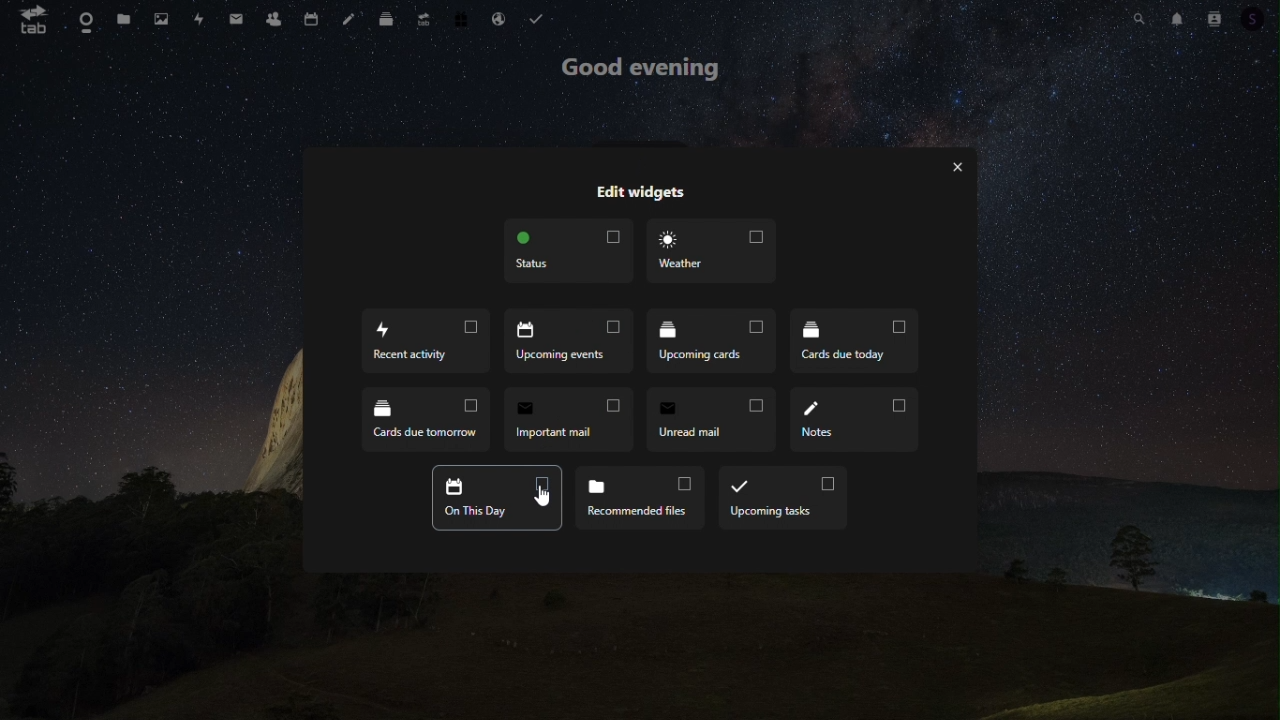 This screenshot has height=720, width=1280. What do you see at coordinates (428, 415) in the screenshot?
I see `Cards due tomorrow ` at bounding box center [428, 415].